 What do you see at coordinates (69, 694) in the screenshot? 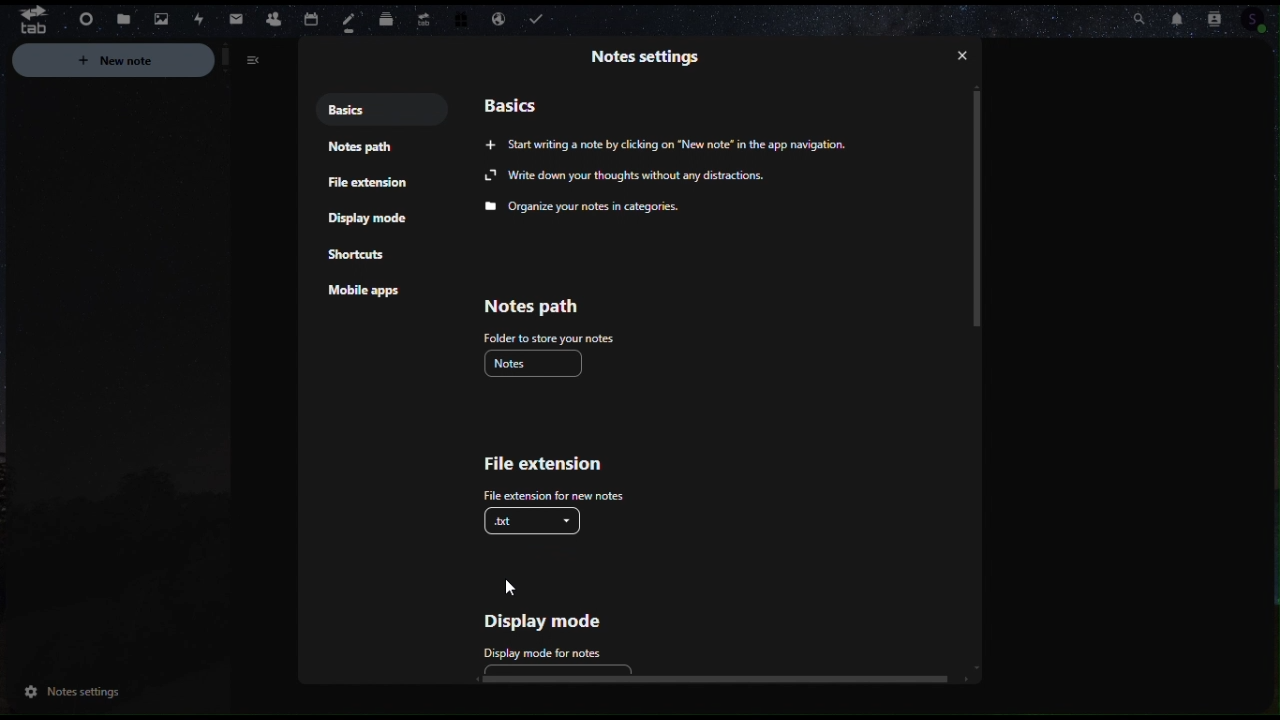
I see `notes settings` at bounding box center [69, 694].